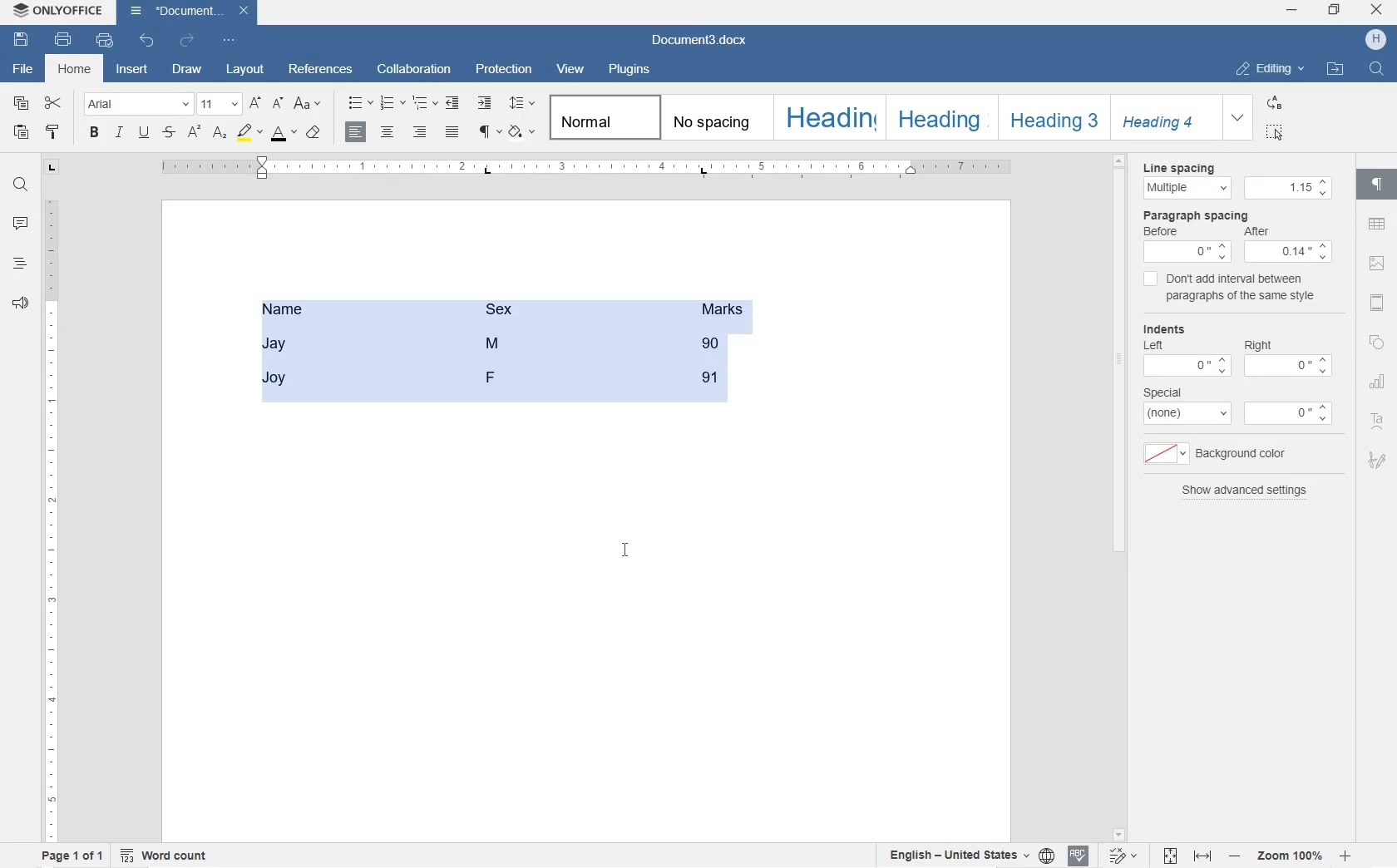 This screenshot has height=868, width=1397. What do you see at coordinates (521, 131) in the screenshot?
I see `SHADING` at bounding box center [521, 131].